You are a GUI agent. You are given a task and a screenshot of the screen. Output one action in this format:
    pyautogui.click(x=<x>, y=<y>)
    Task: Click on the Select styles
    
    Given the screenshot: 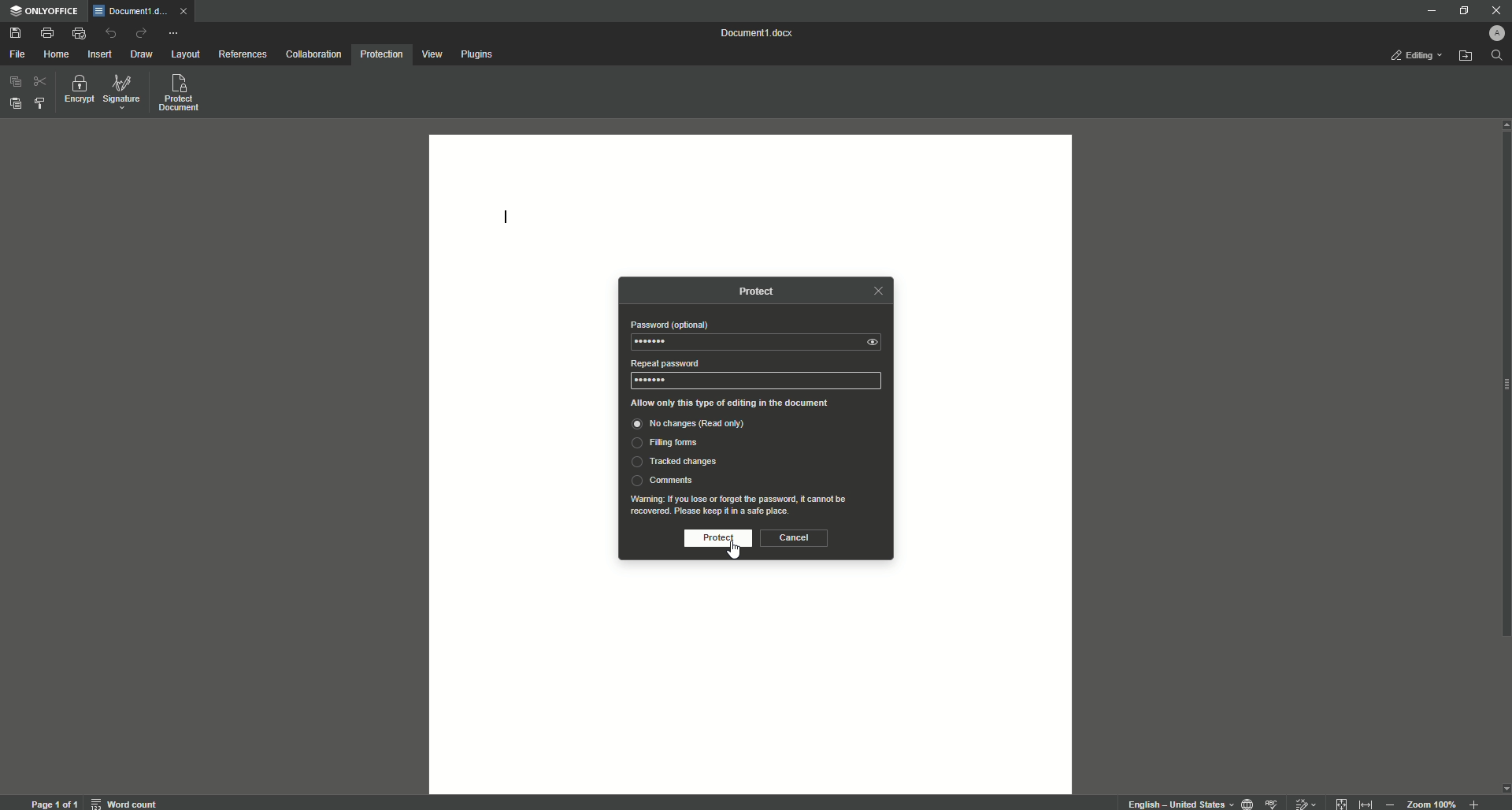 What is the action you would take?
    pyautogui.click(x=39, y=105)
    